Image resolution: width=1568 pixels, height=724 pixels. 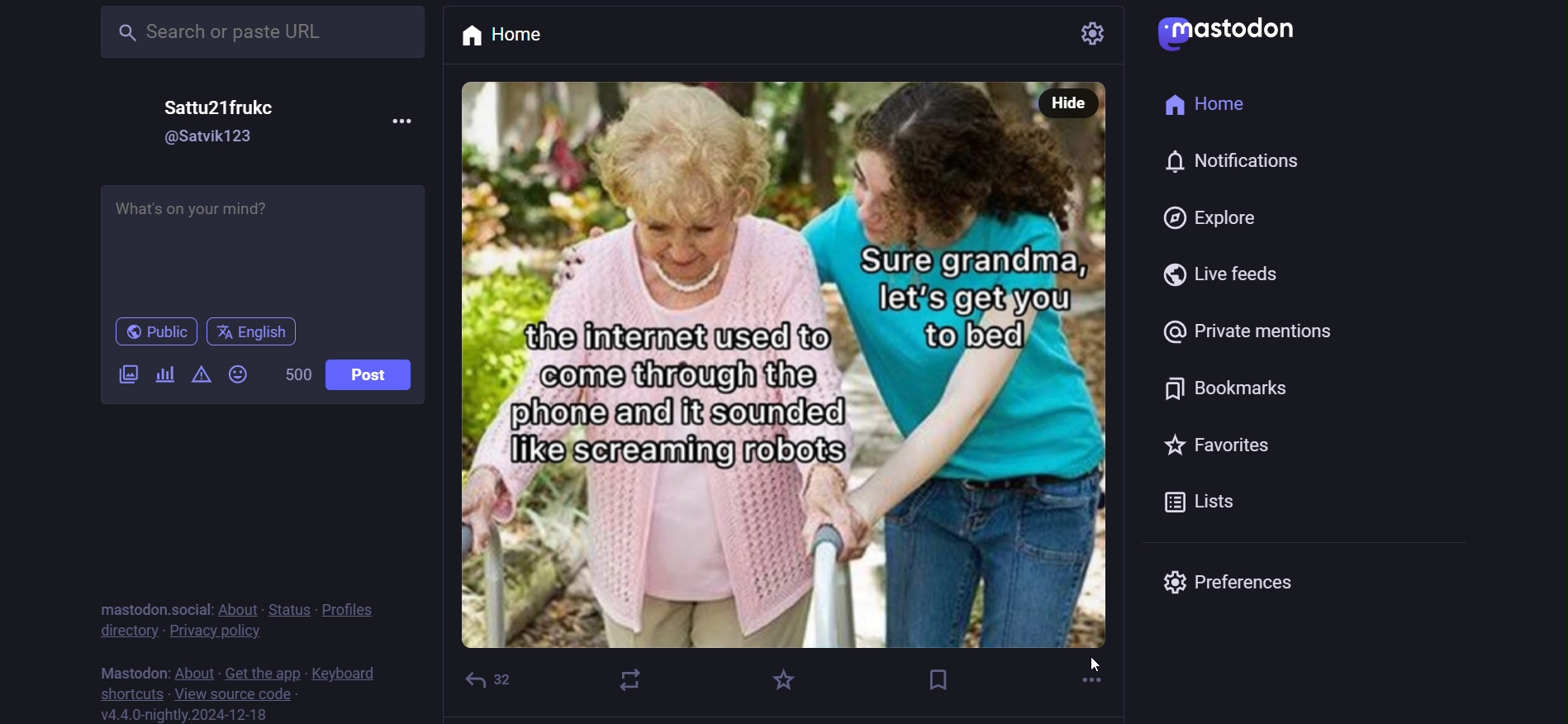 What do you see at coordinates (239, 605) in the screenshot?
I see `about` at bounding box center [239, 605].